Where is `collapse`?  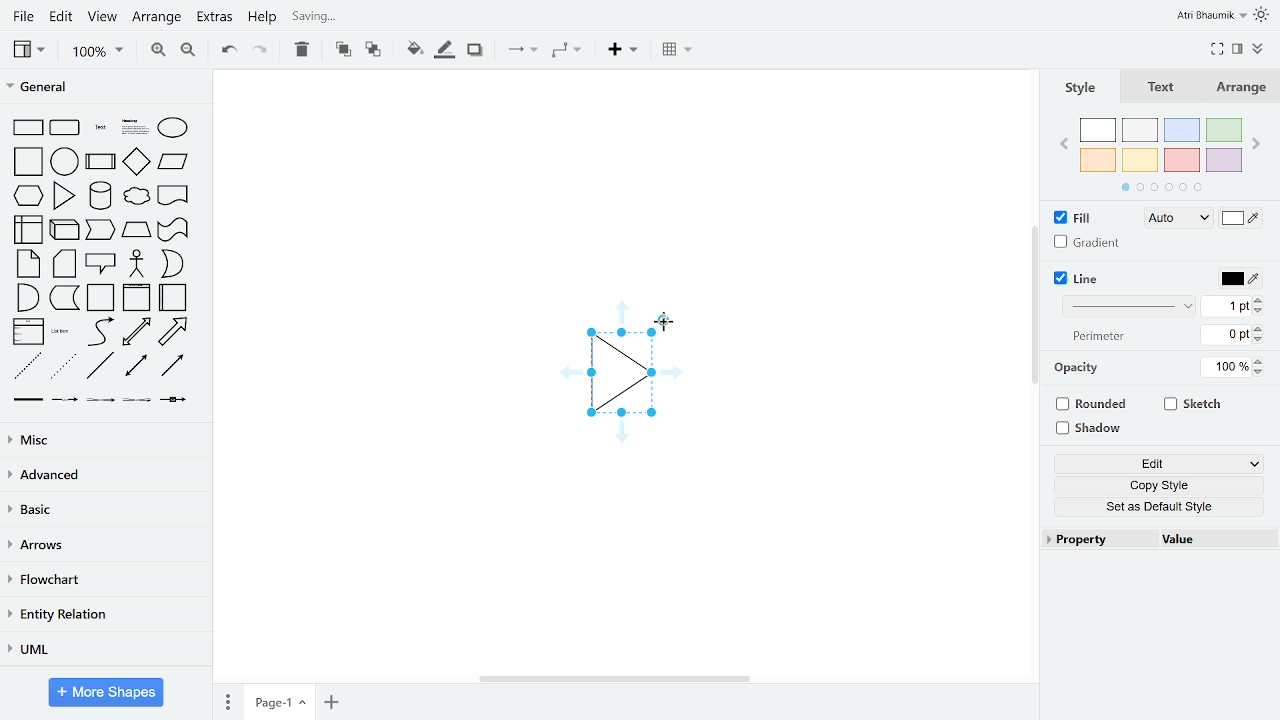
collapse is located at coordinates (1258, 50).